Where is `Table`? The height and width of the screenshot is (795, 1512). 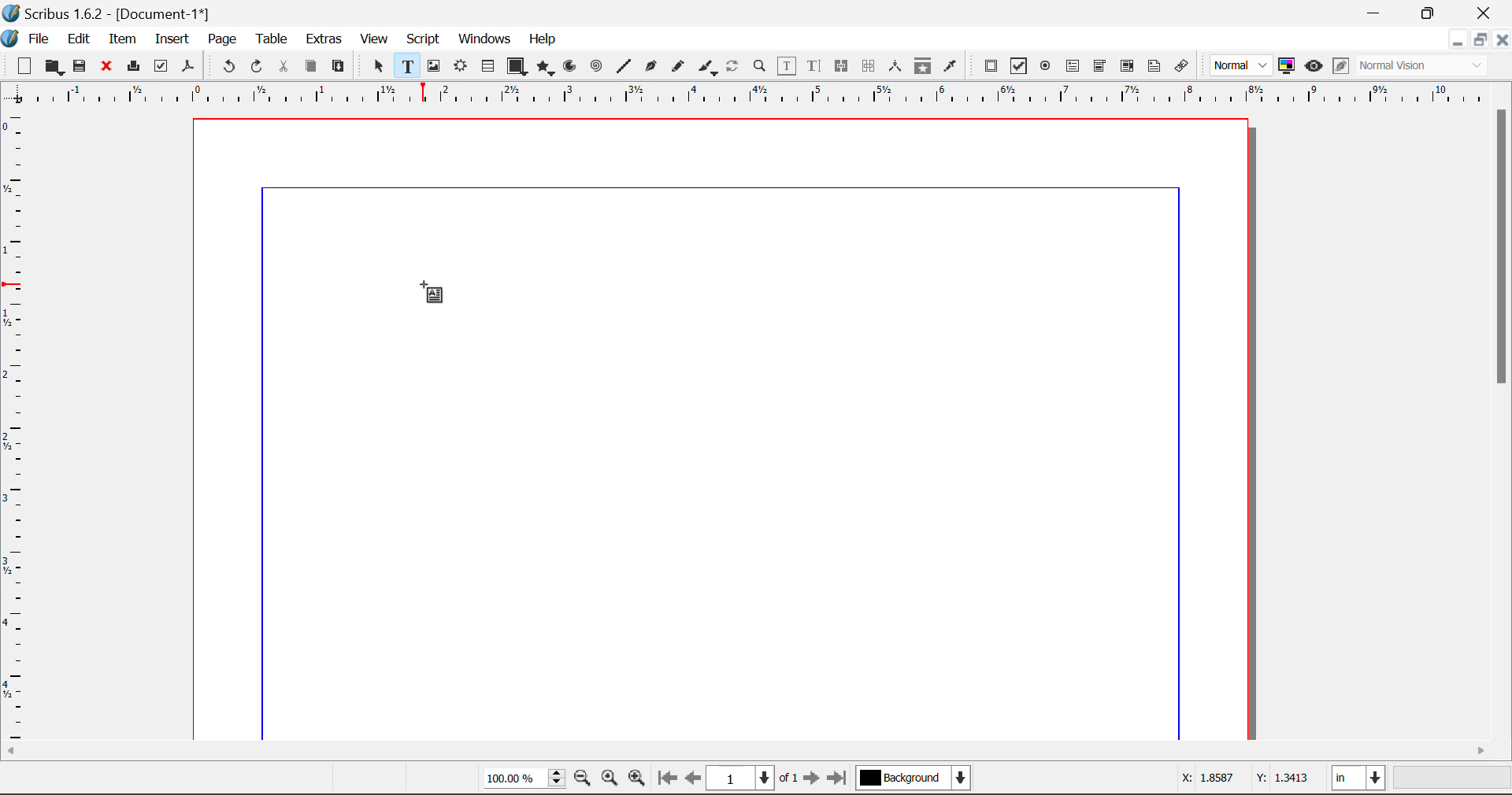 Table is located at coordinates (271, 38).